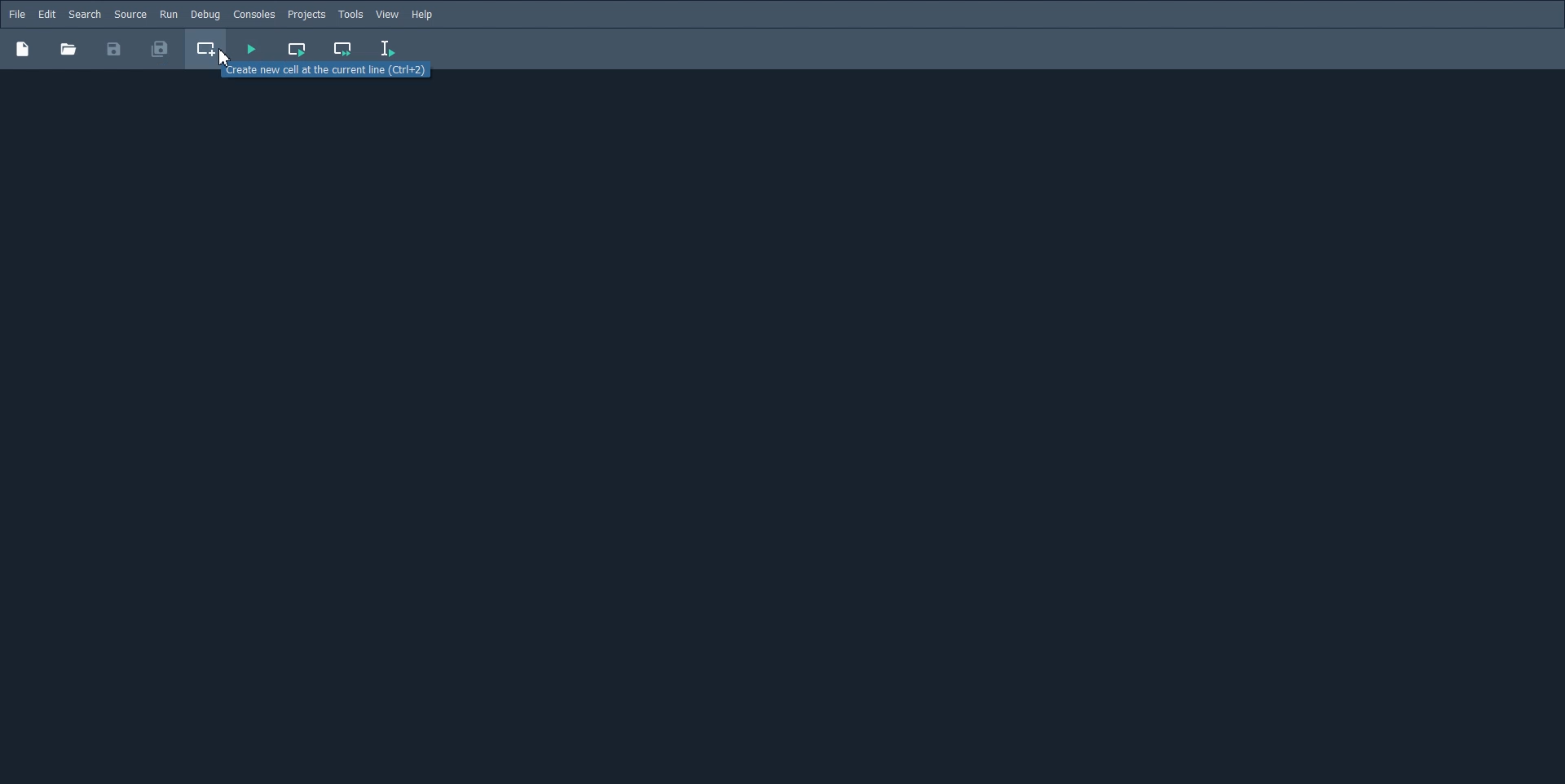 Image resolution: width=1565 pixels, height=784 pixels. I want to click on view, so click(388, 15).